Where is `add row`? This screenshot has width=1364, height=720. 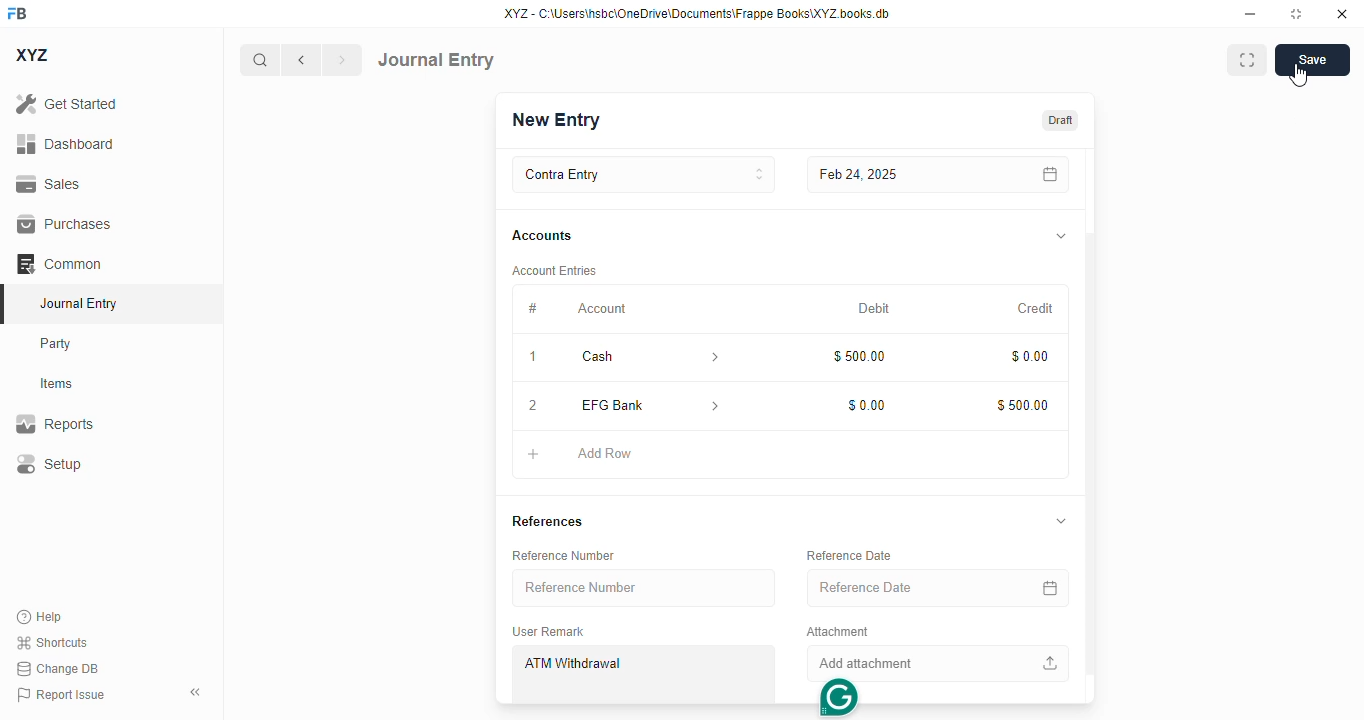
add row is located at coordinates (603, 454).